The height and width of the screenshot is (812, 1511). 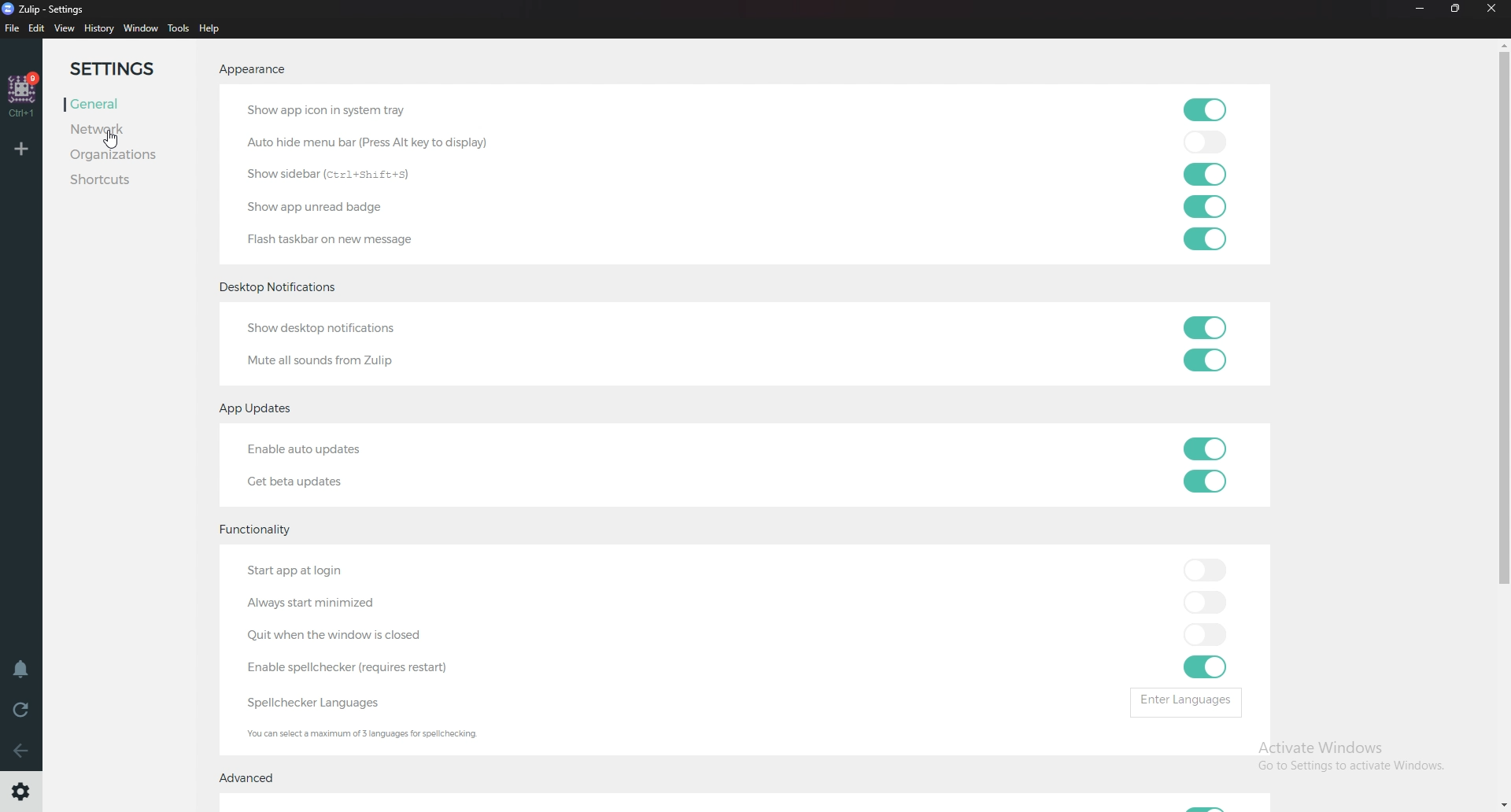 I want to click on toggle, so click(x=1206, y=480).